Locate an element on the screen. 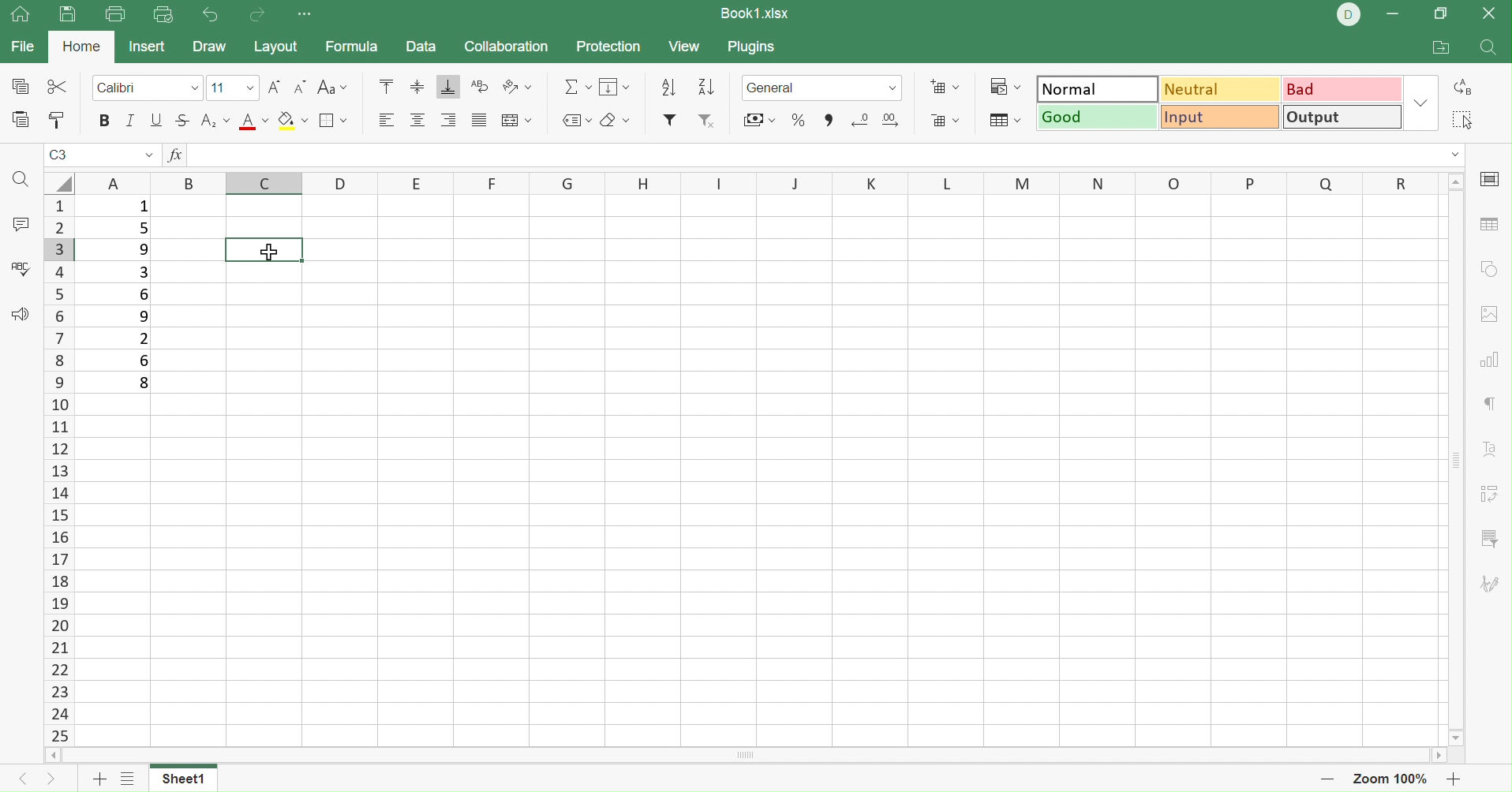 The image size is (1512, 792). Drop down is located at coordinates (890, 88).